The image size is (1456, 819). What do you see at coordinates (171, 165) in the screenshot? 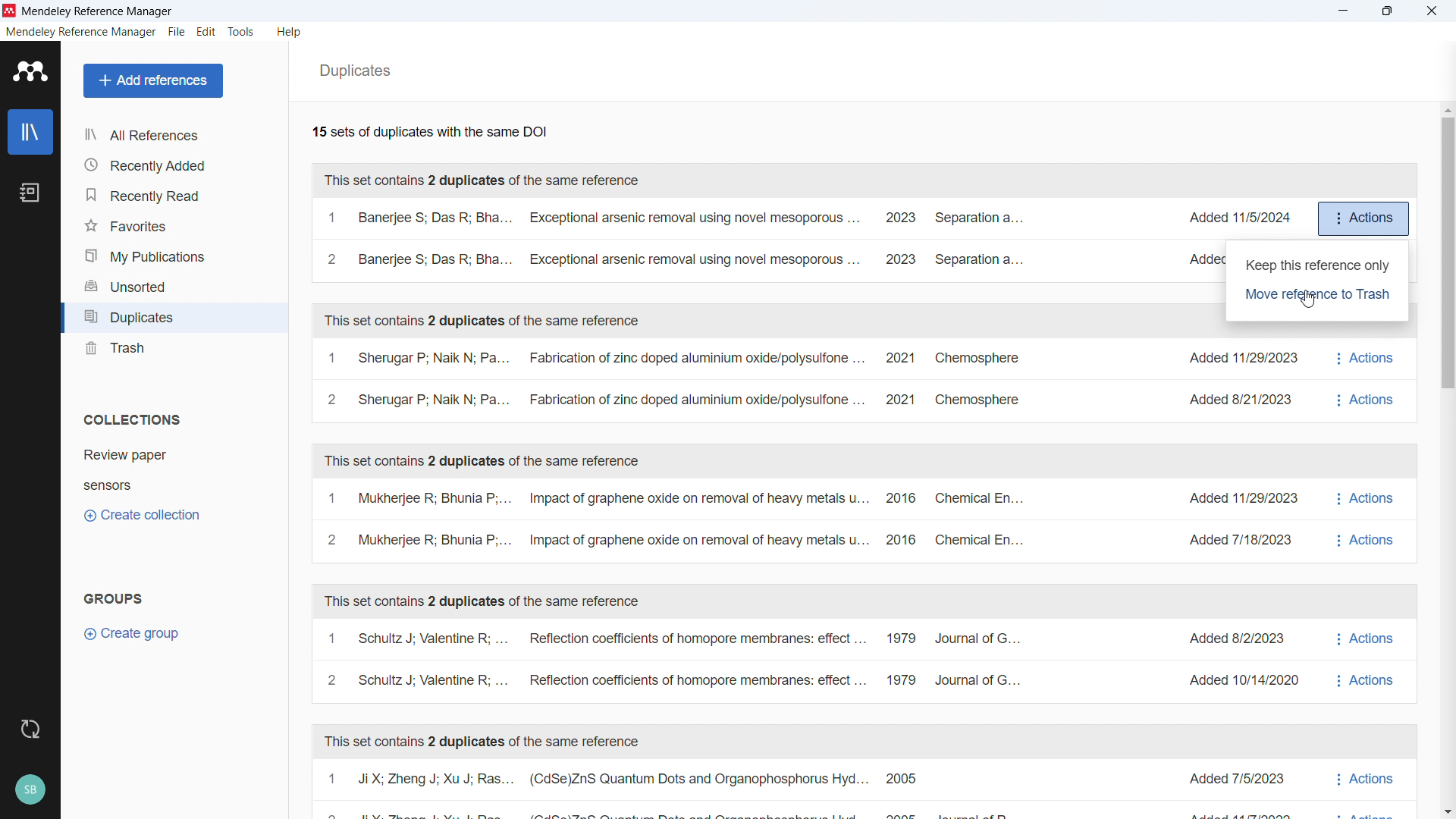
I see `Recently added ` at bounding box center [171, 165].